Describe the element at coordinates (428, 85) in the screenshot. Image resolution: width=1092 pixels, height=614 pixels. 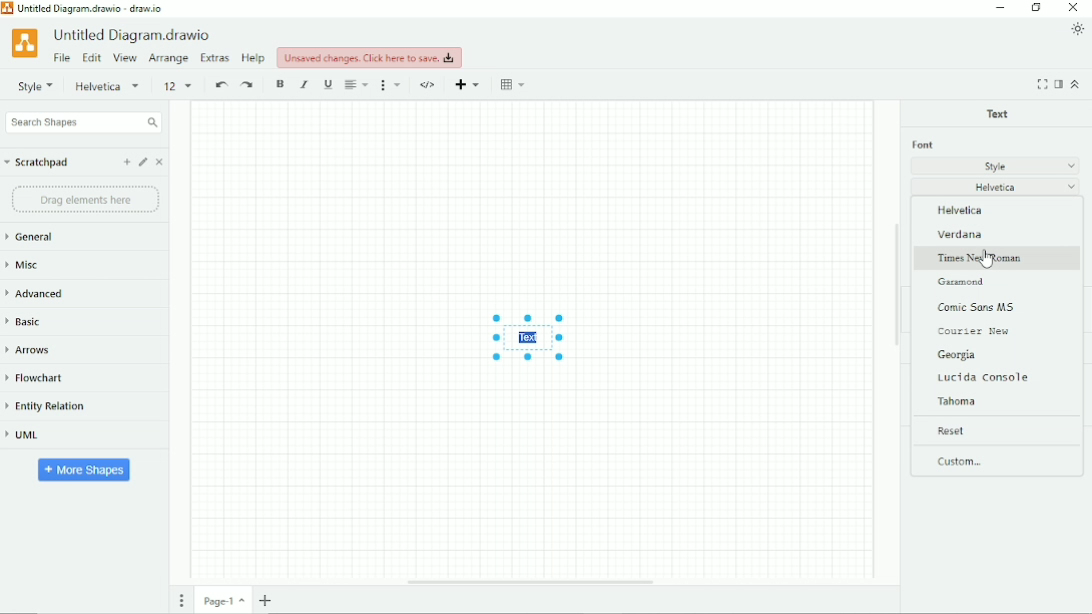
I see `HTML` at that location.